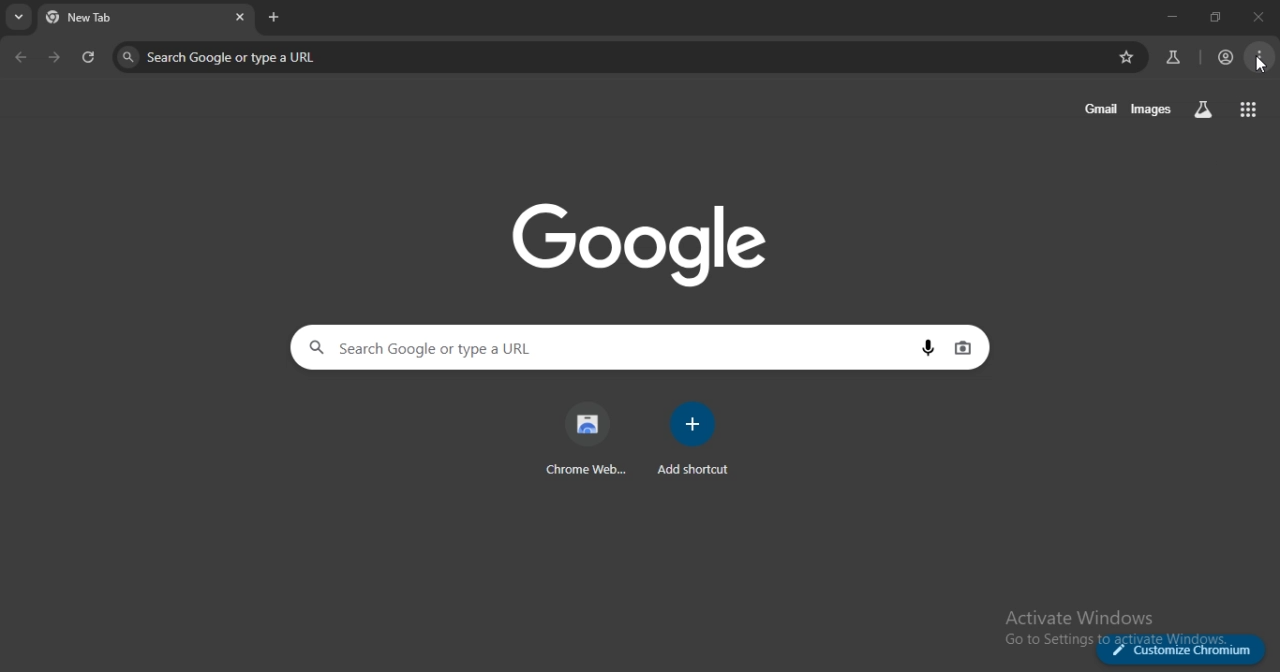 This screenshot has width=1280, height=672. Describe the element at coordinates (240, 17) in the screenshot. I see `close tab` at that location.